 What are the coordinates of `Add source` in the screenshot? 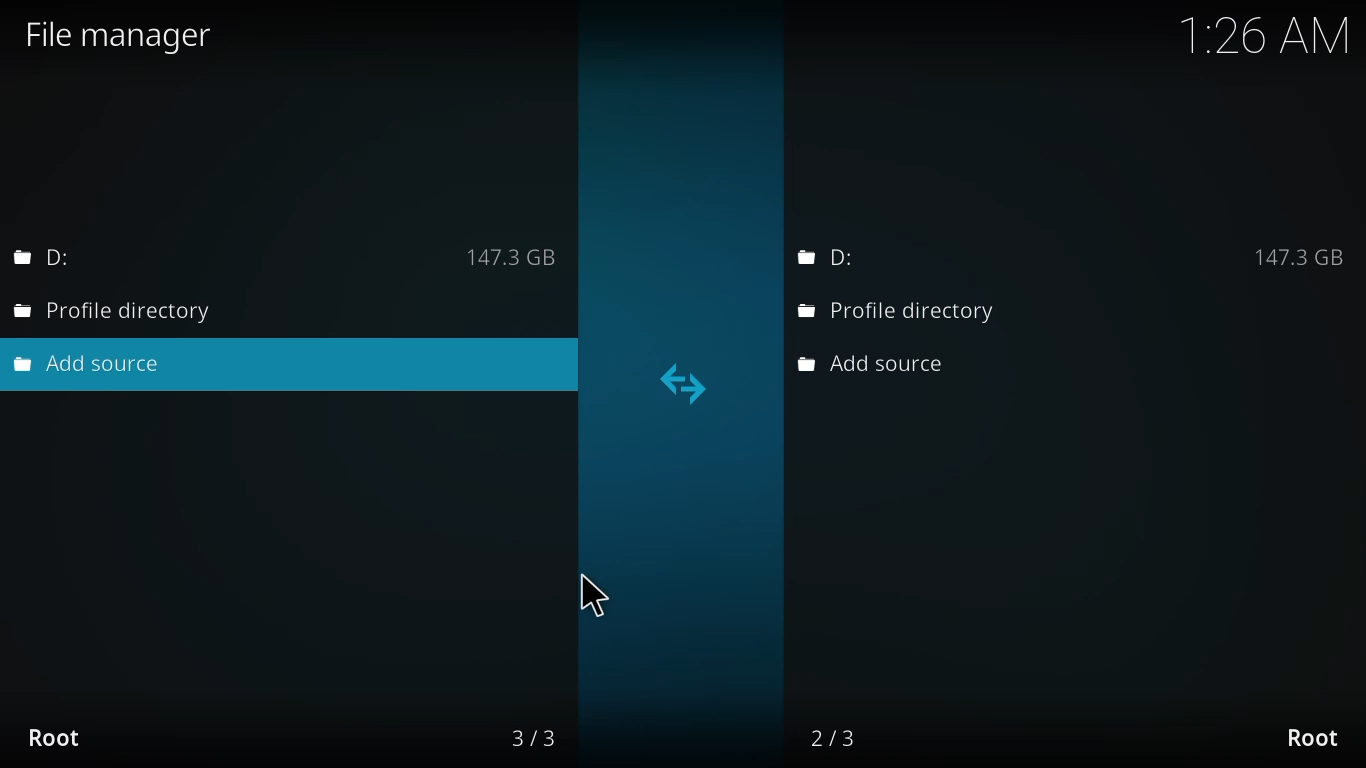 It's located at (95, 364).